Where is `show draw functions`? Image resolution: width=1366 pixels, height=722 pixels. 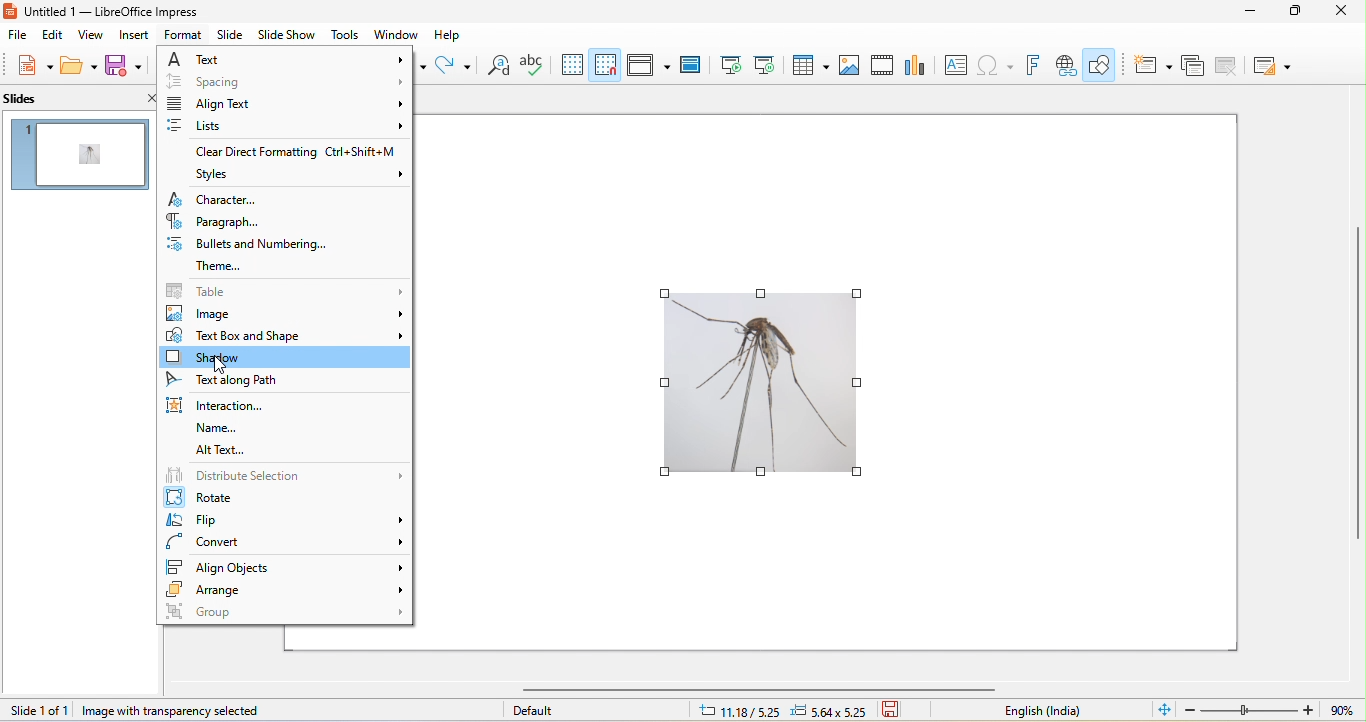 show draw functions is located at coordinates (1100, 66).